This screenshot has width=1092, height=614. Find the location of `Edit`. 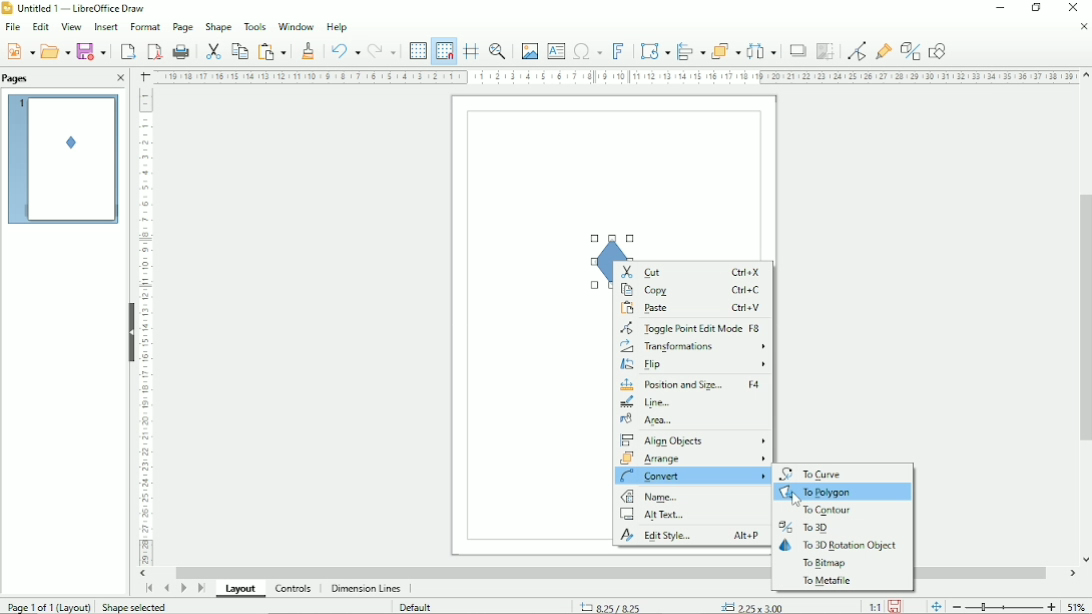

Edit is located at coordinates (40, 27).